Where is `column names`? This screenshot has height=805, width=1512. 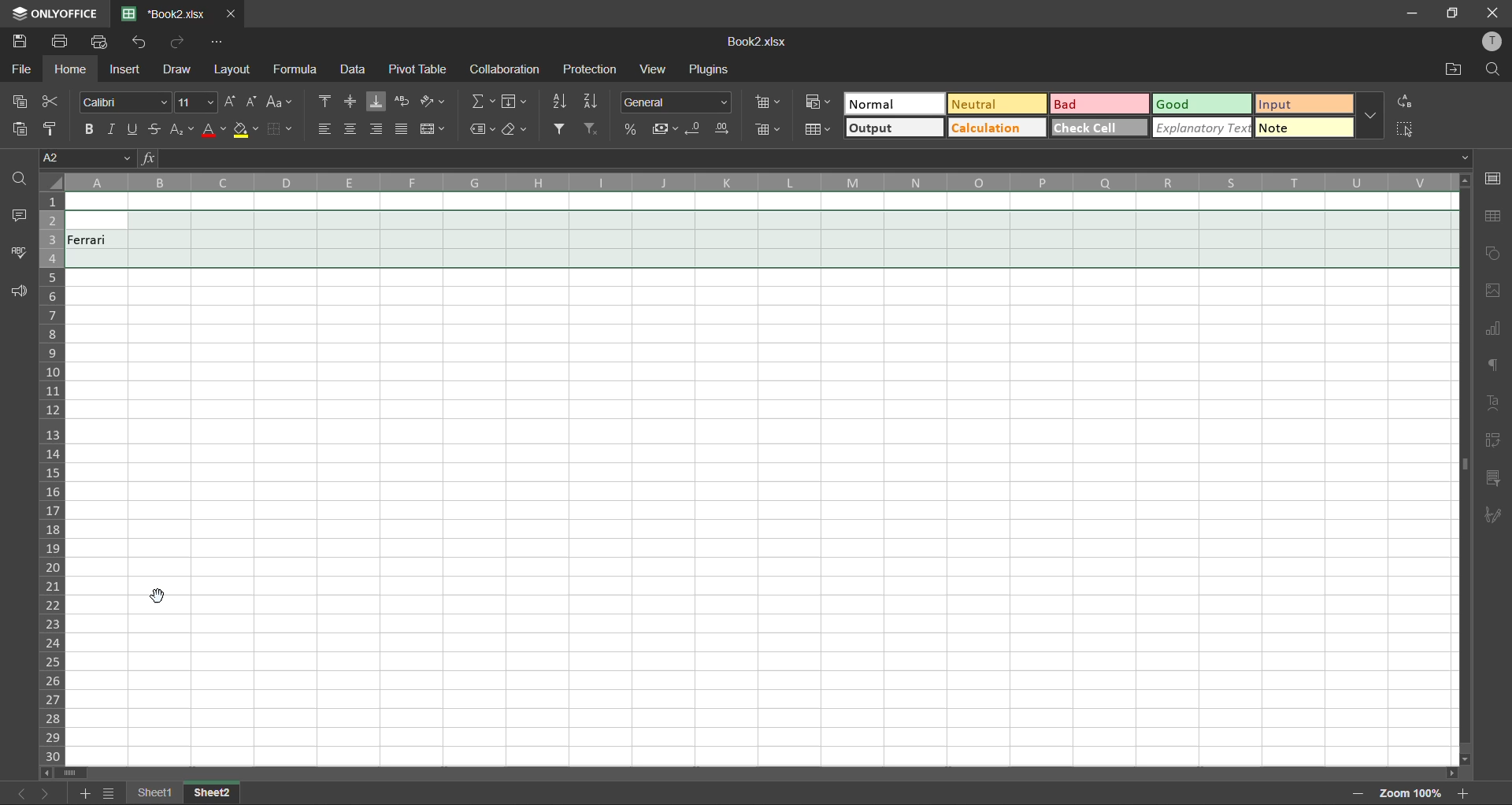
column names is located at coordinates (759, 182).